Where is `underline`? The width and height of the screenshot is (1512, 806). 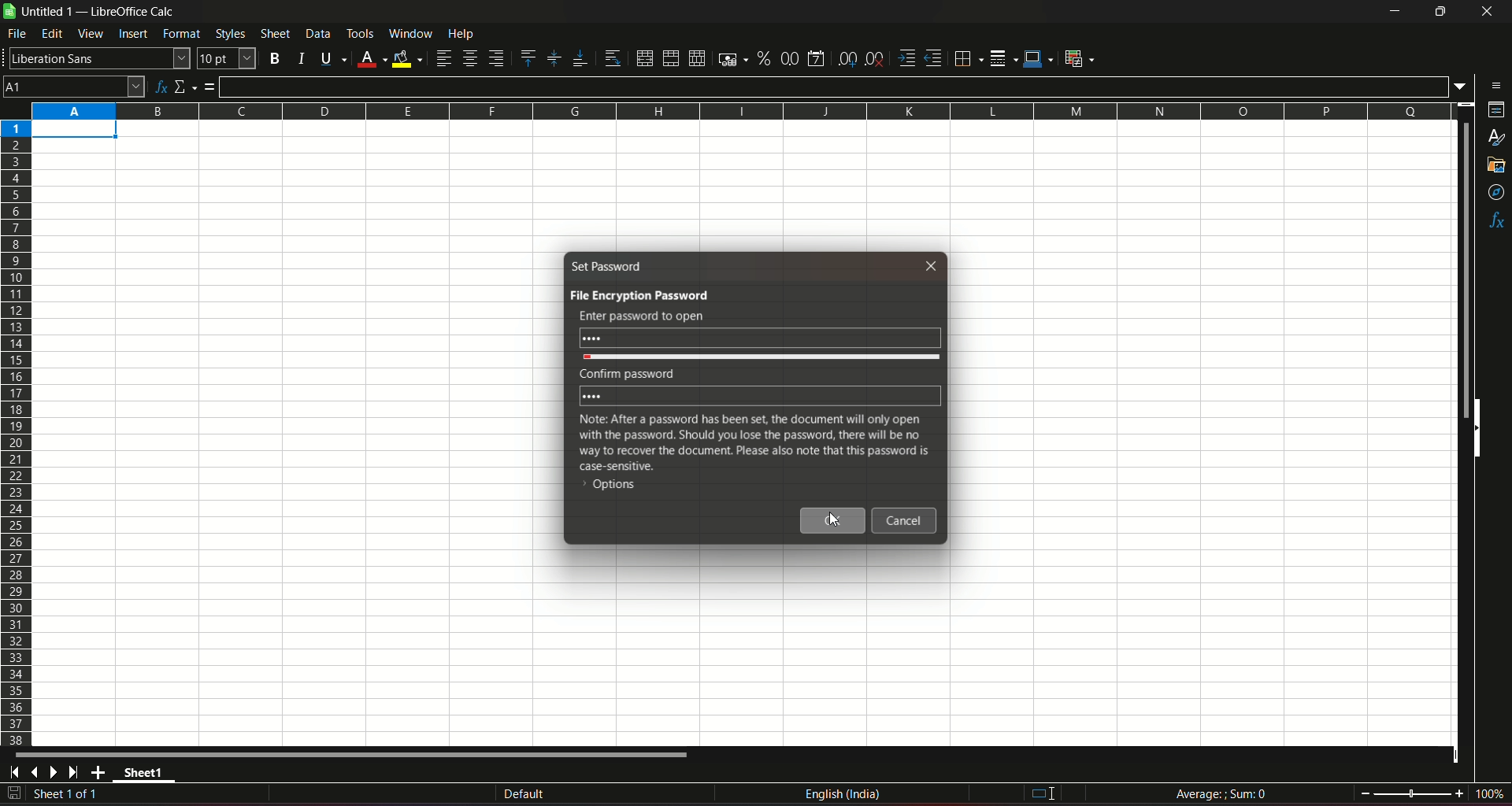 underline is located at coordinates (330, 57).